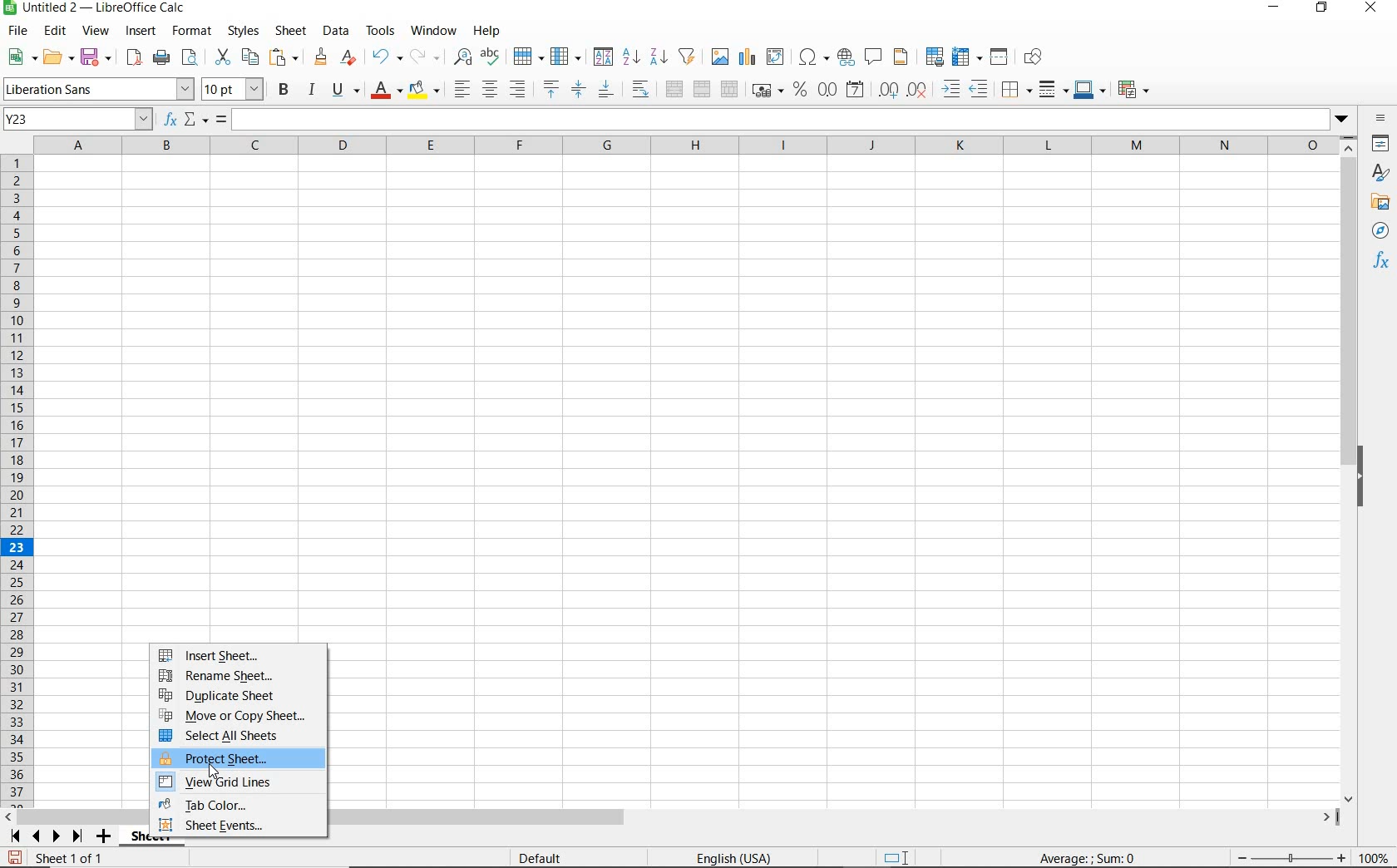  What do you see at coordinates (192, 57) in the screenshot?
I see `TOGGLE PRINT PREVIEW` at bounding box center [192, 57].